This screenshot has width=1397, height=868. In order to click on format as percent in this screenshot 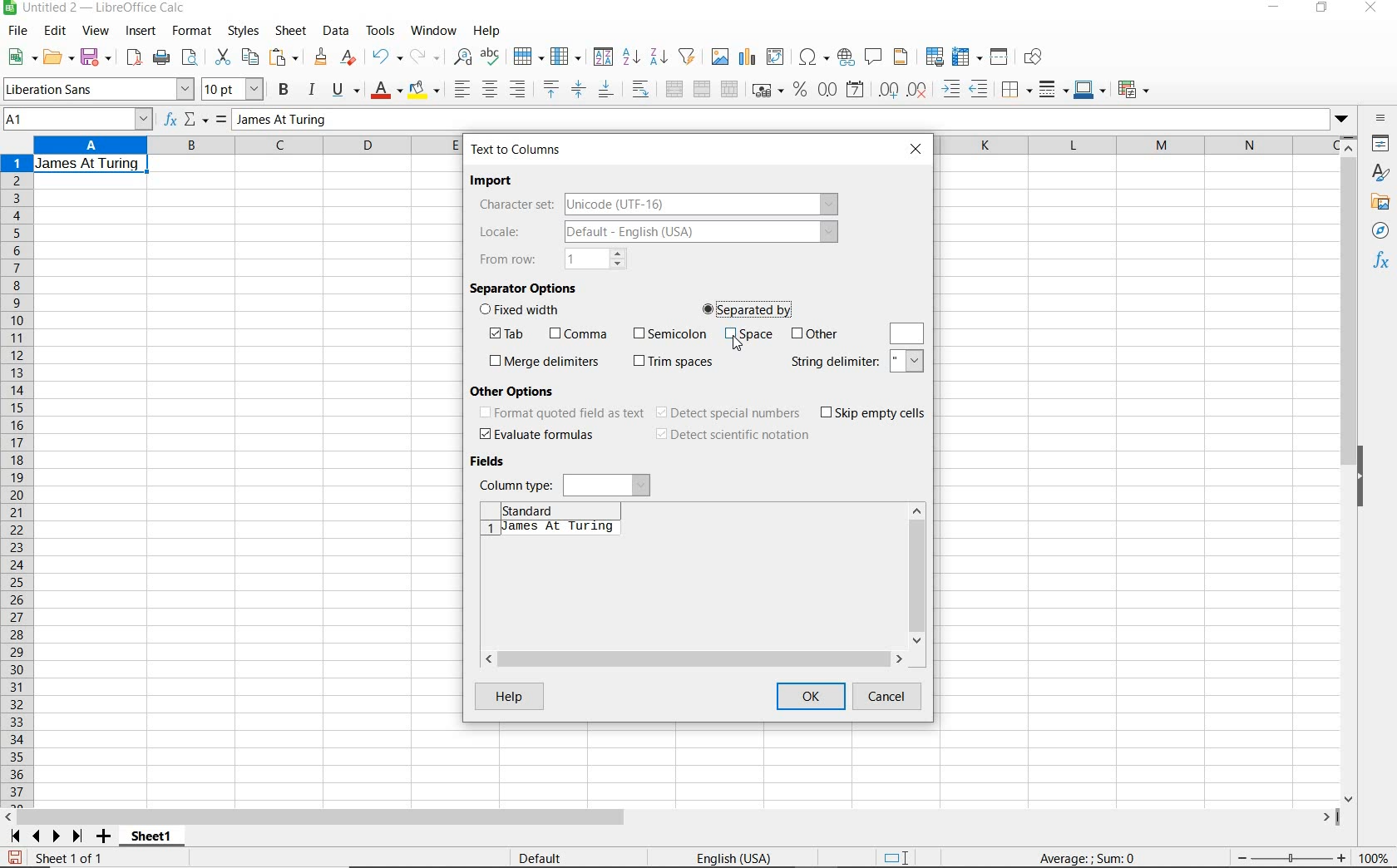, I will do `click(799, 91)`.